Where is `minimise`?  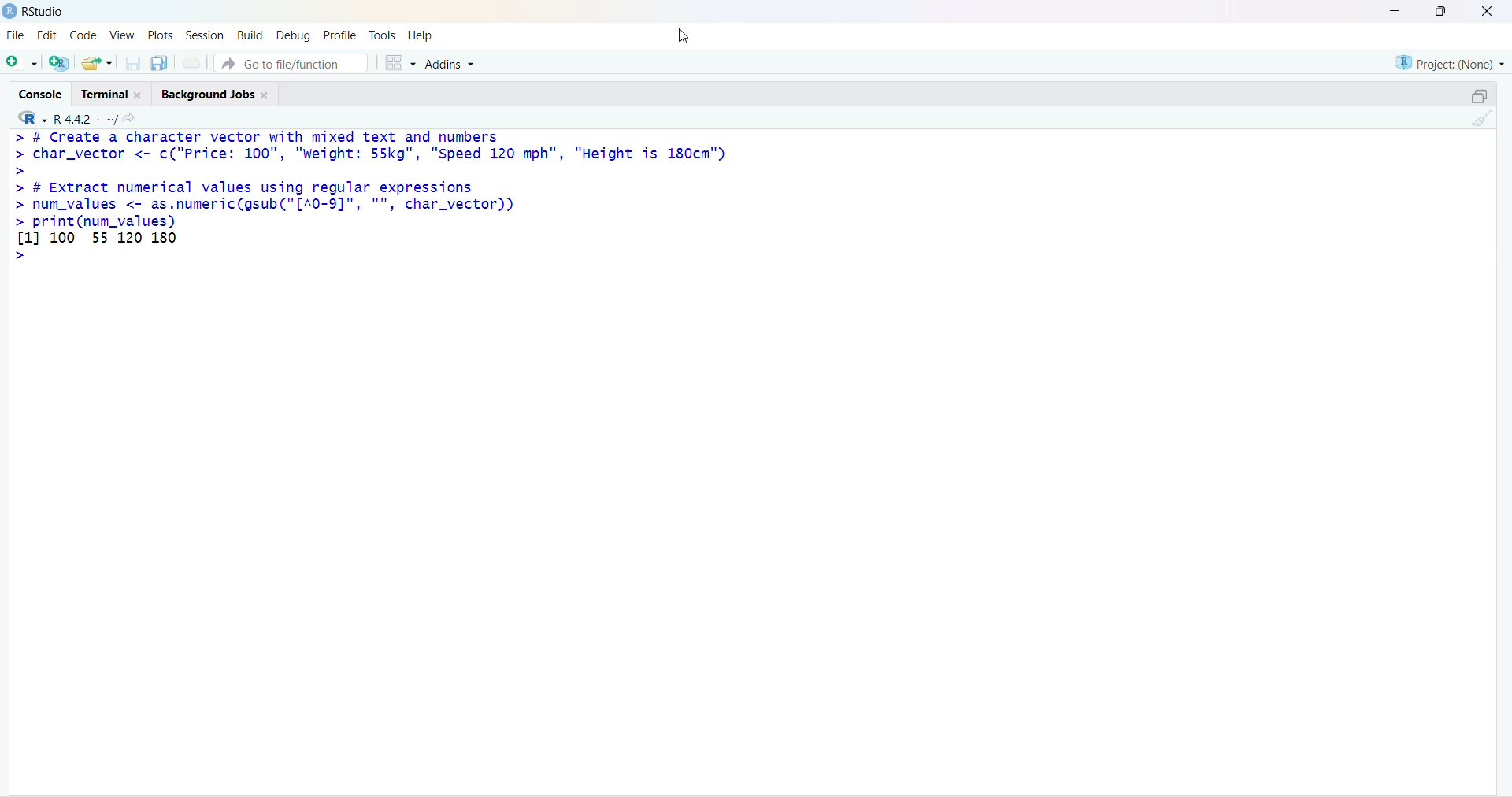
minimise is located at coordinates (1396, 10).